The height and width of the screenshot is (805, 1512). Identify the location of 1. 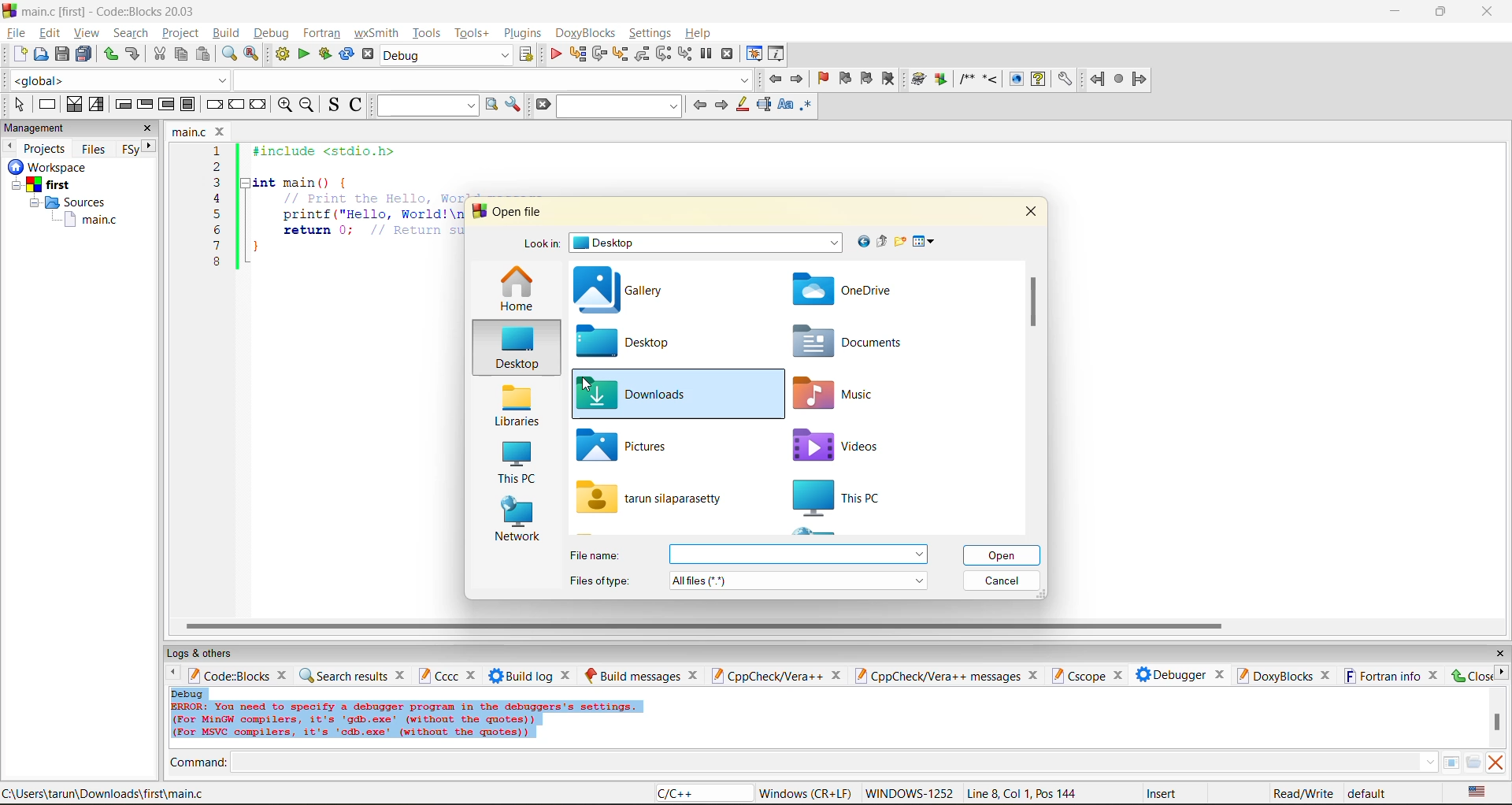
(219, 151).